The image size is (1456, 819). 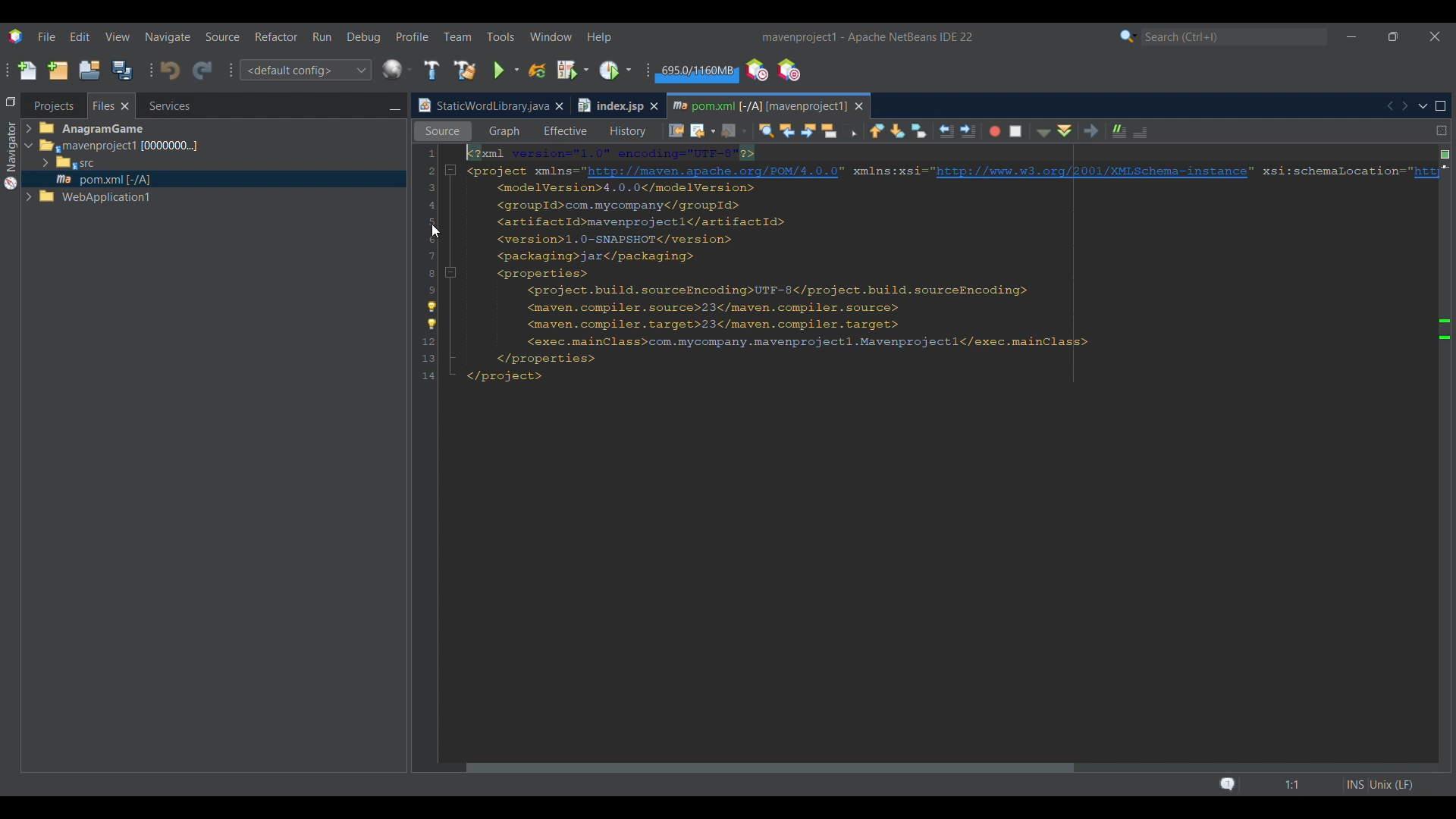 What do you see at coordinates (162, 105) in the screenshot?
I see `Services, current tab highlighted` at bounding box center [162, 105].